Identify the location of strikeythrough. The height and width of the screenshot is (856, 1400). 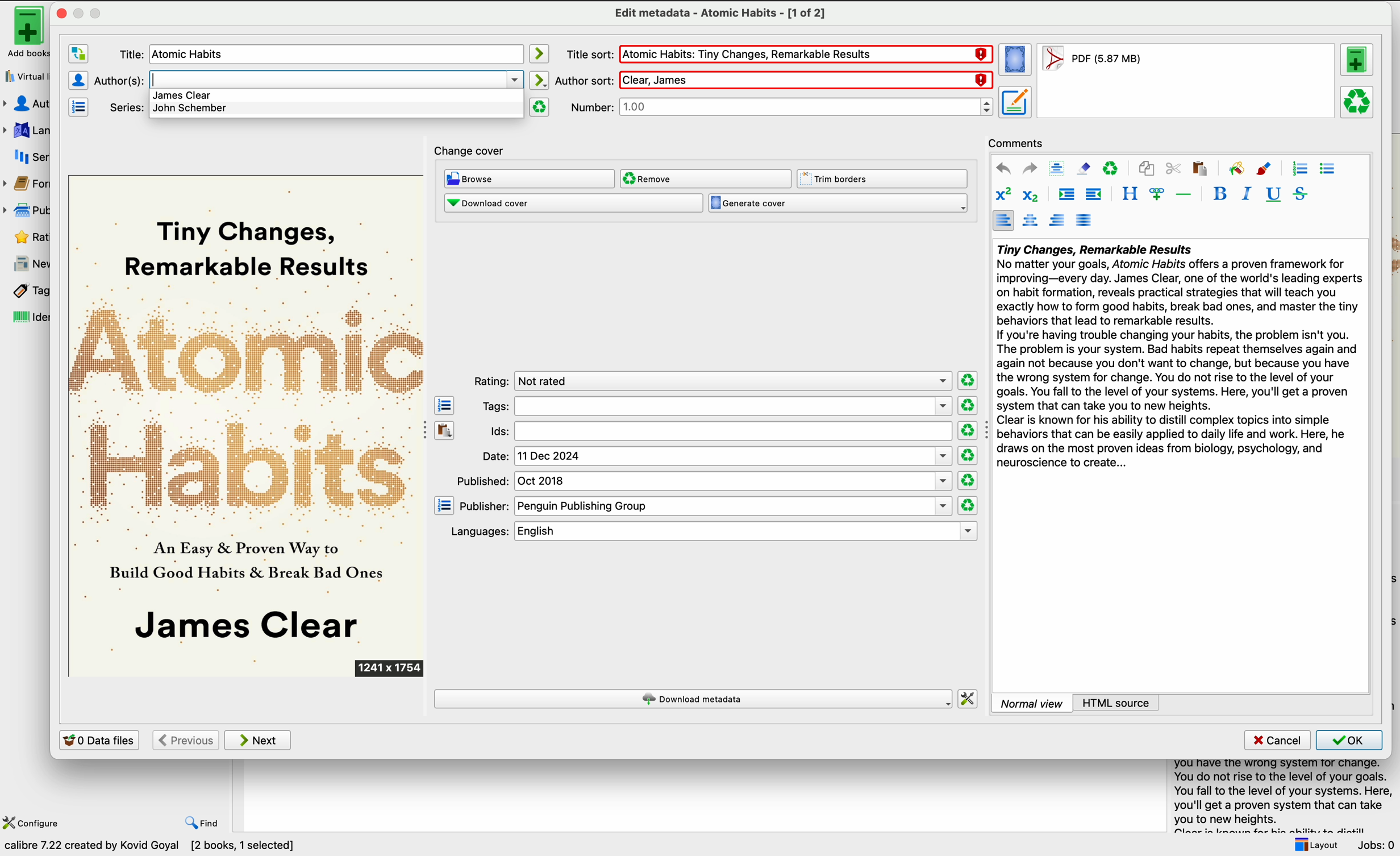
(1301, 194).